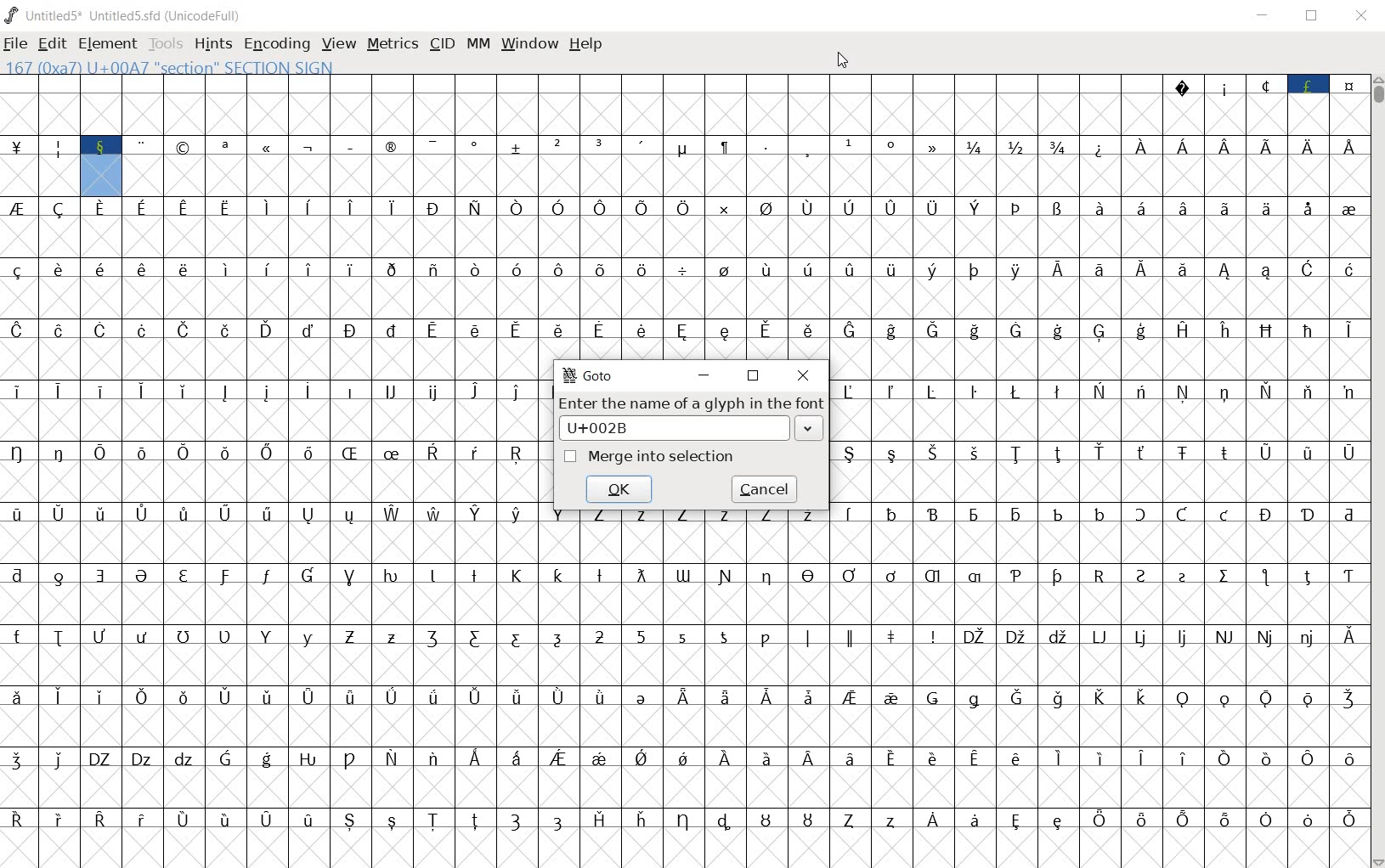  What do you see at coordinates (391, 286) in the screenshot?
I see `symbols` at bounding box center [391, 286].